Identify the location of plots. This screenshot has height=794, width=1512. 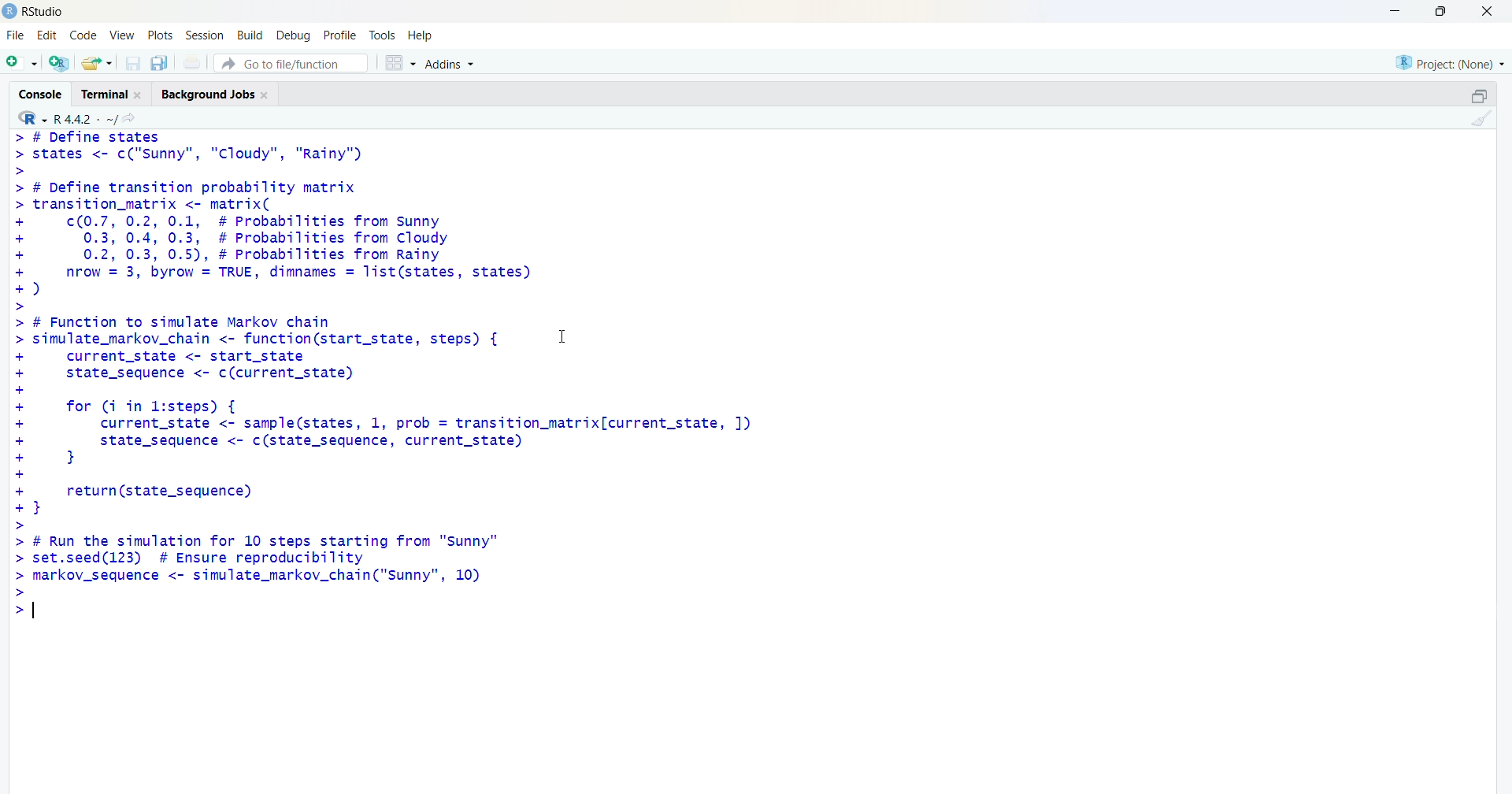
(162, 34).